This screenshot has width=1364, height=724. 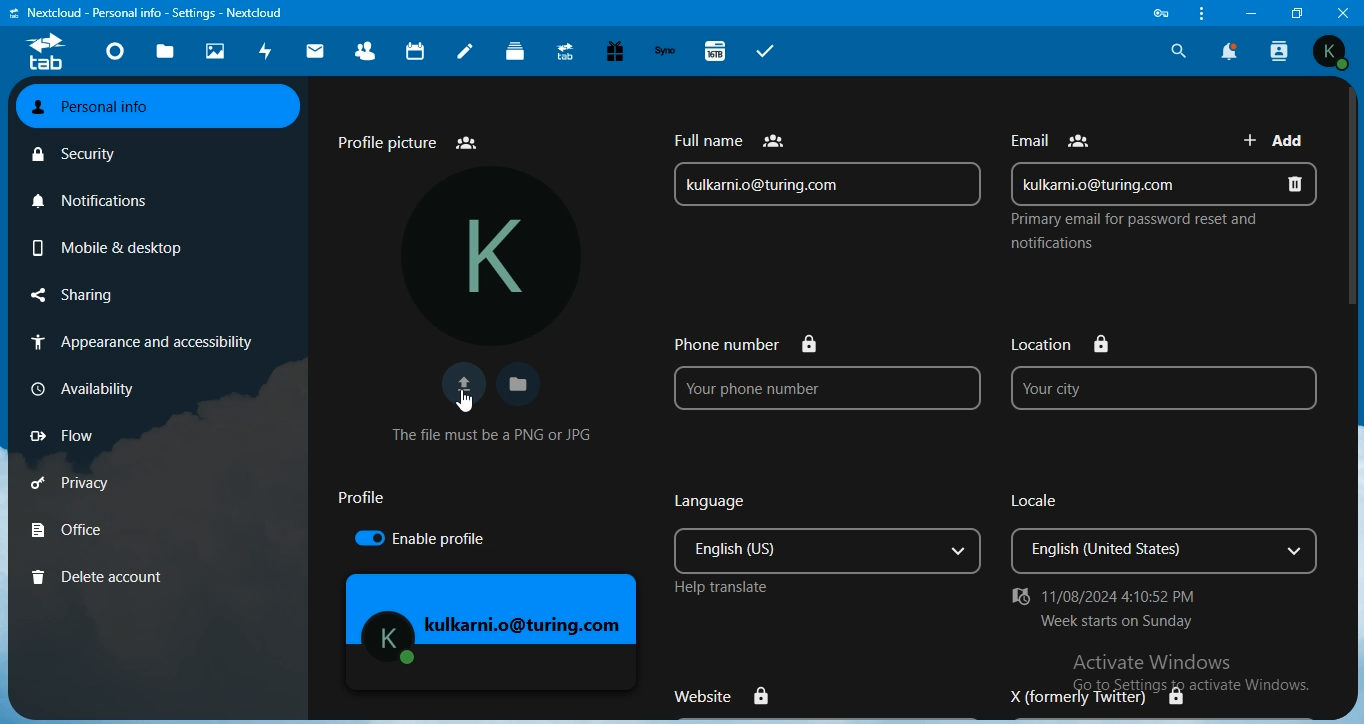 I want to click on upgrade, so click(x=566, y=52).